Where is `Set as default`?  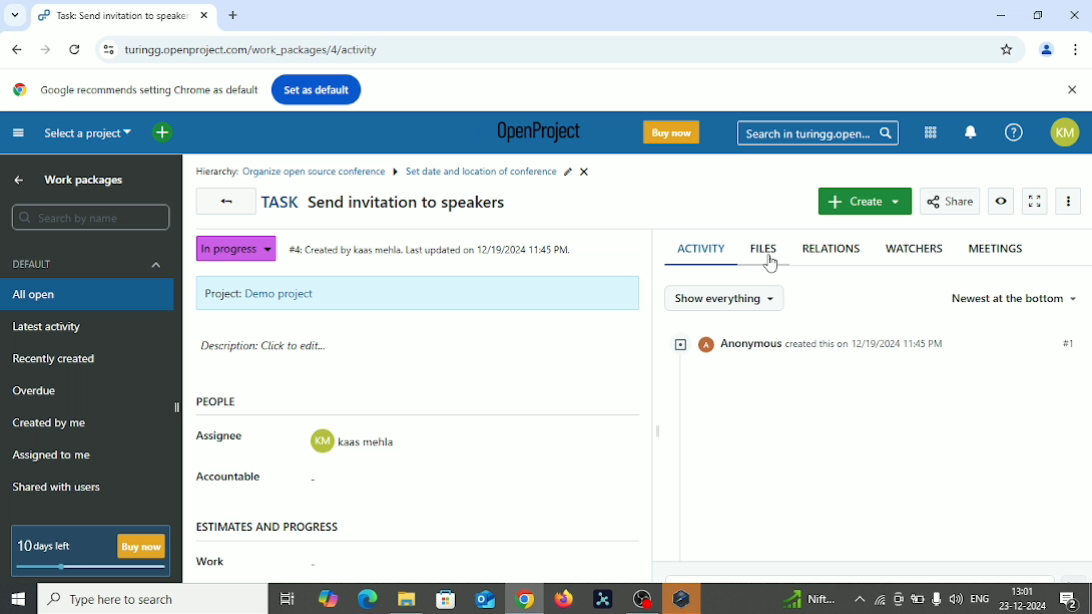 Set as default is located at coordinates (316, 89).